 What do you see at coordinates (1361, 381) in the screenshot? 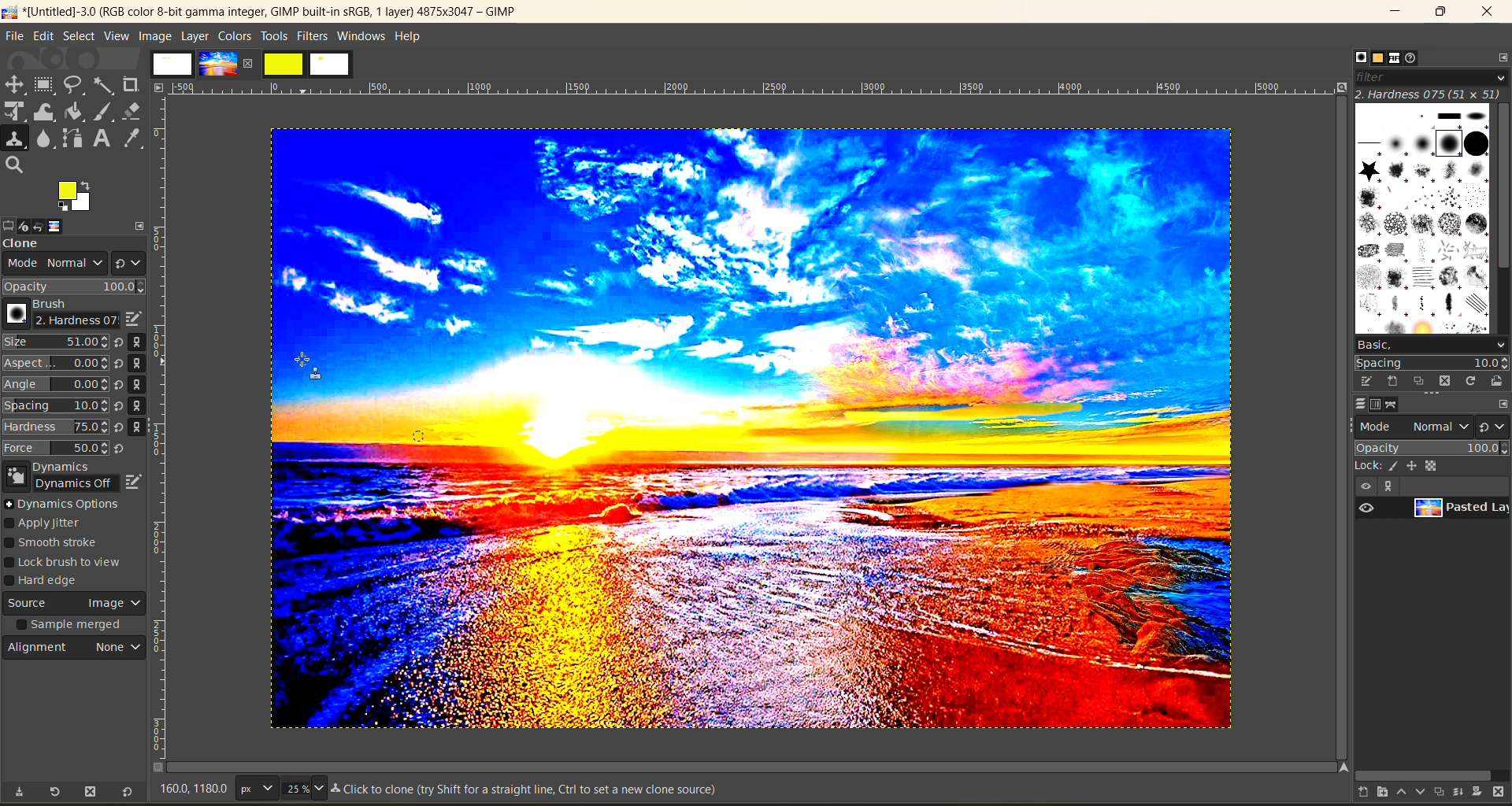
I see `edit this brush` at bounding box center [1361, 381].